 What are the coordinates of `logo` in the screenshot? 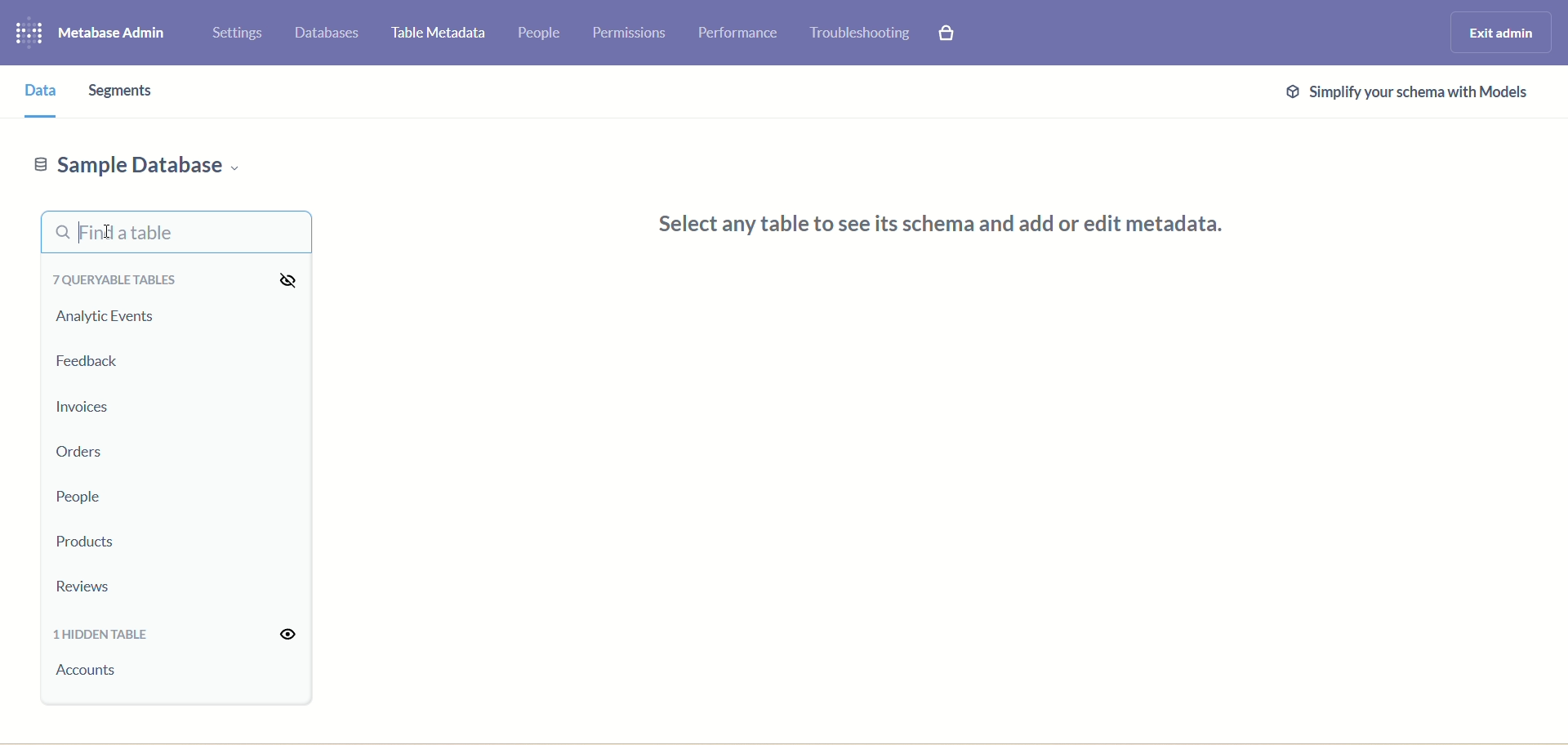 It's located at (28, 31).